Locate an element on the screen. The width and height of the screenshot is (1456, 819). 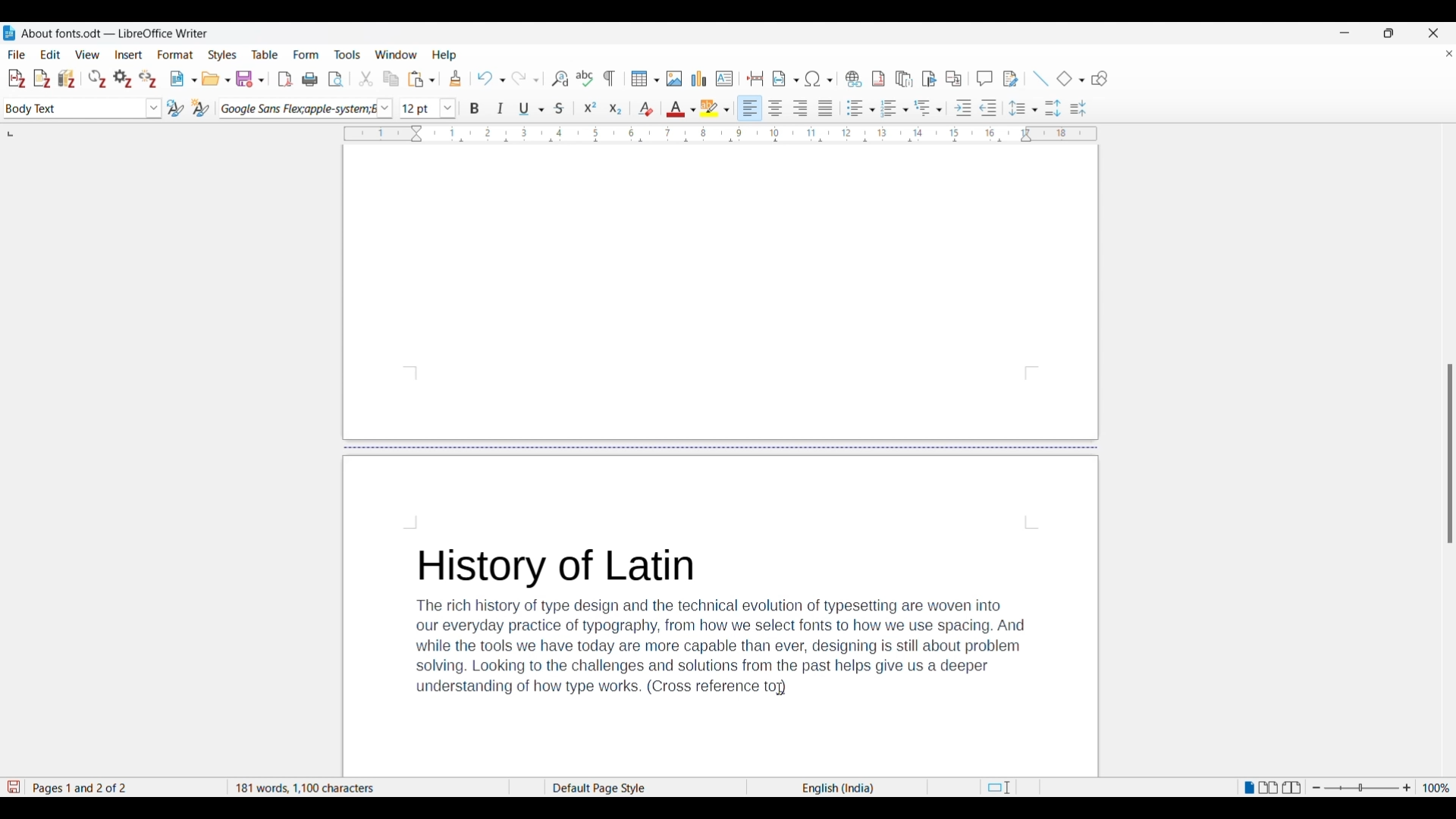
Book view is located at coordinates (1292, 787).